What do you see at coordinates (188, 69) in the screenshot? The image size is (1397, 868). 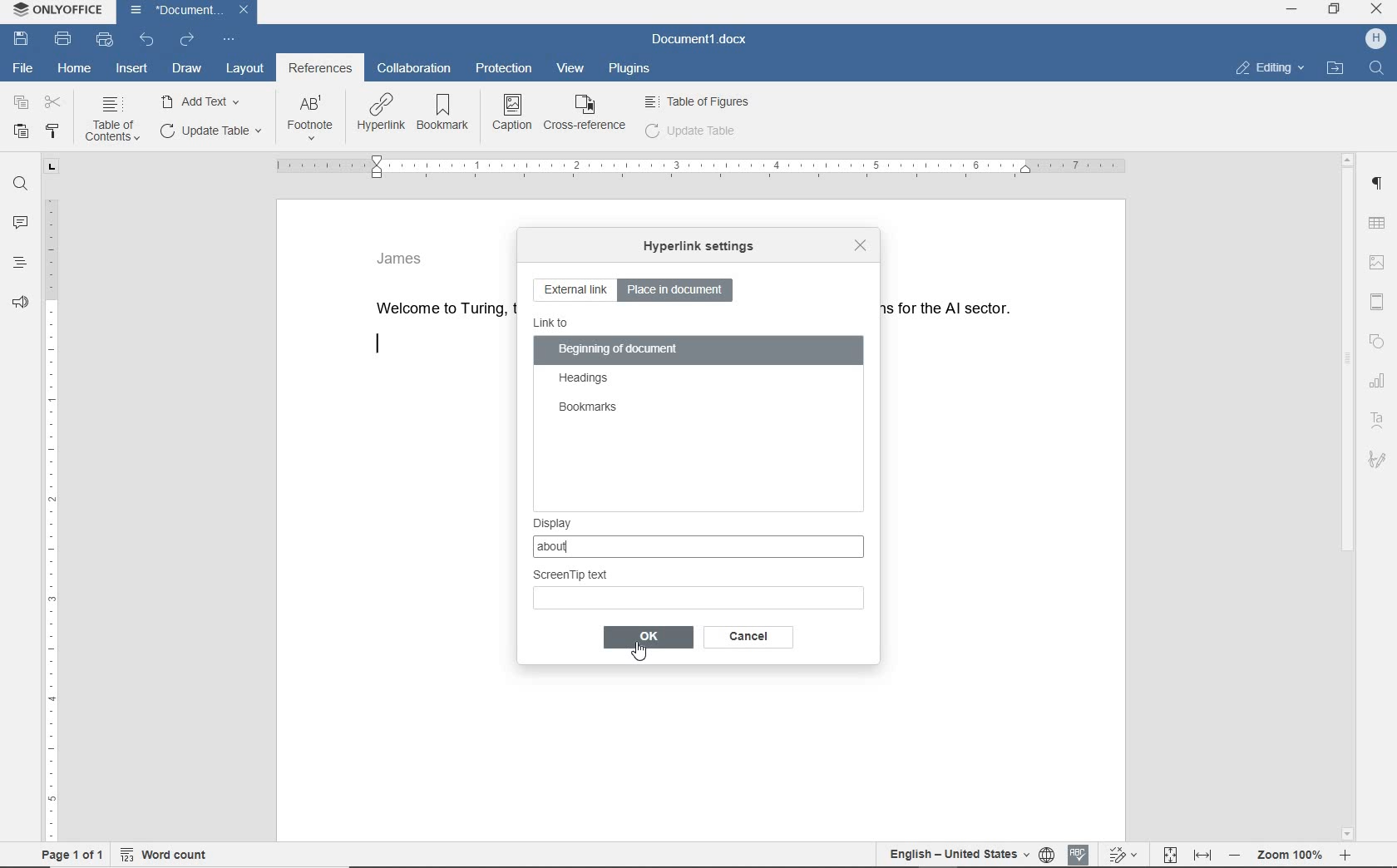 I see `draw` at bounding box center [188, 69].